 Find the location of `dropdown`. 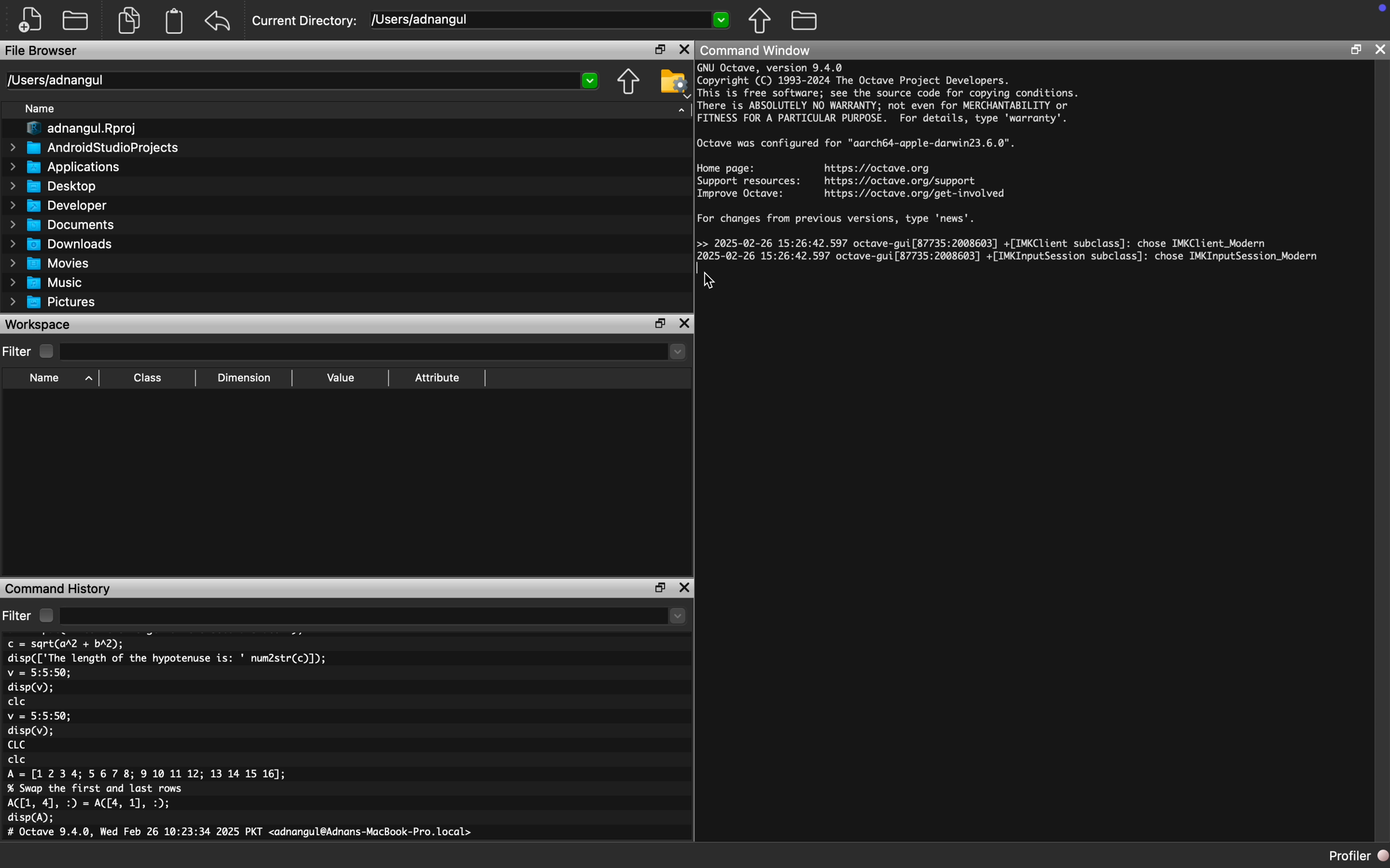

dropdown is located at coordinates (374, 615).